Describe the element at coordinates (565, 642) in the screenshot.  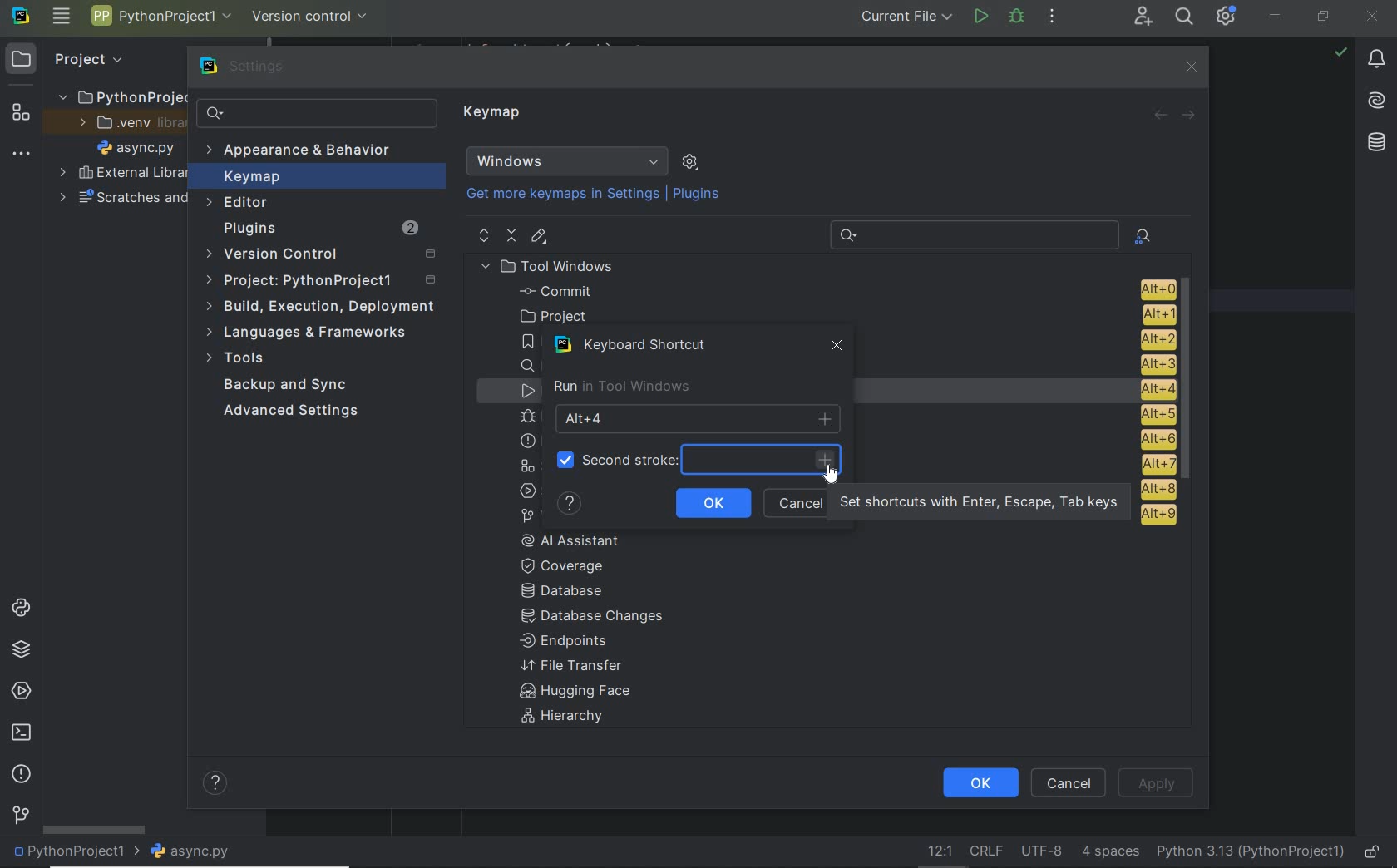
I see `Endpoints` at that location.